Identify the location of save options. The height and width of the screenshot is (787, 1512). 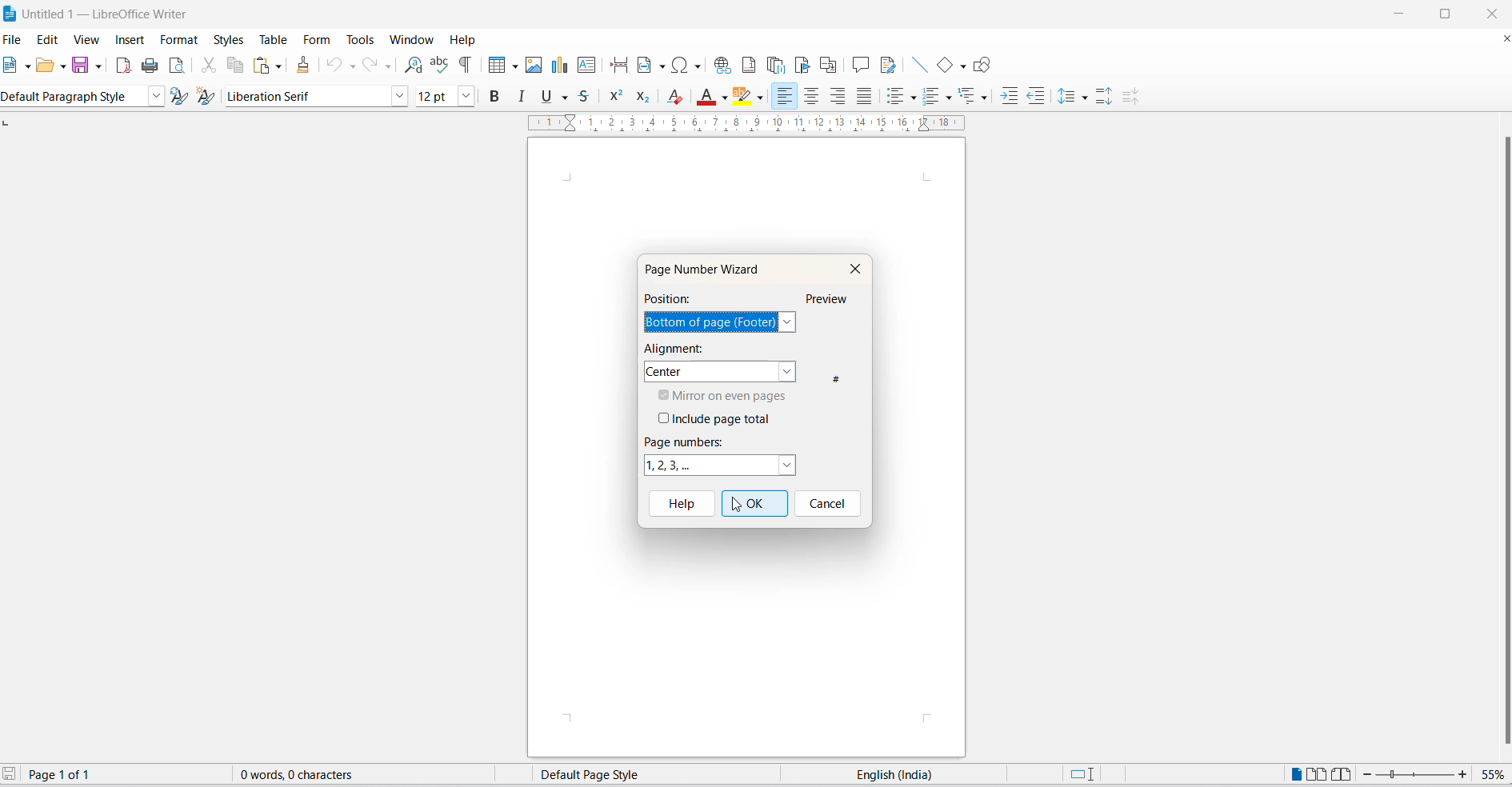
(100, 67).